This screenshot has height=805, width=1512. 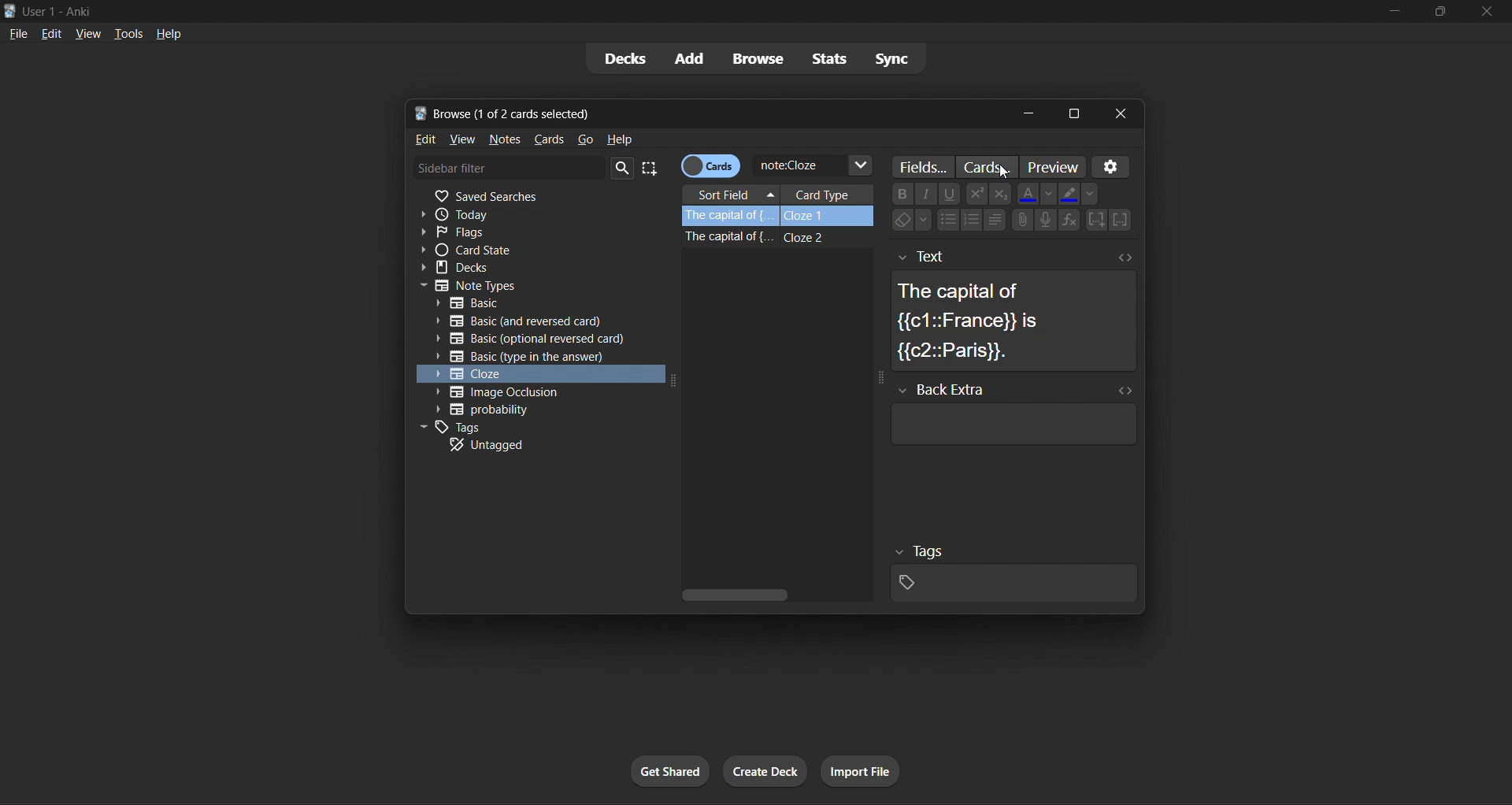 I want to click on notes, so click(x=502, y=139).